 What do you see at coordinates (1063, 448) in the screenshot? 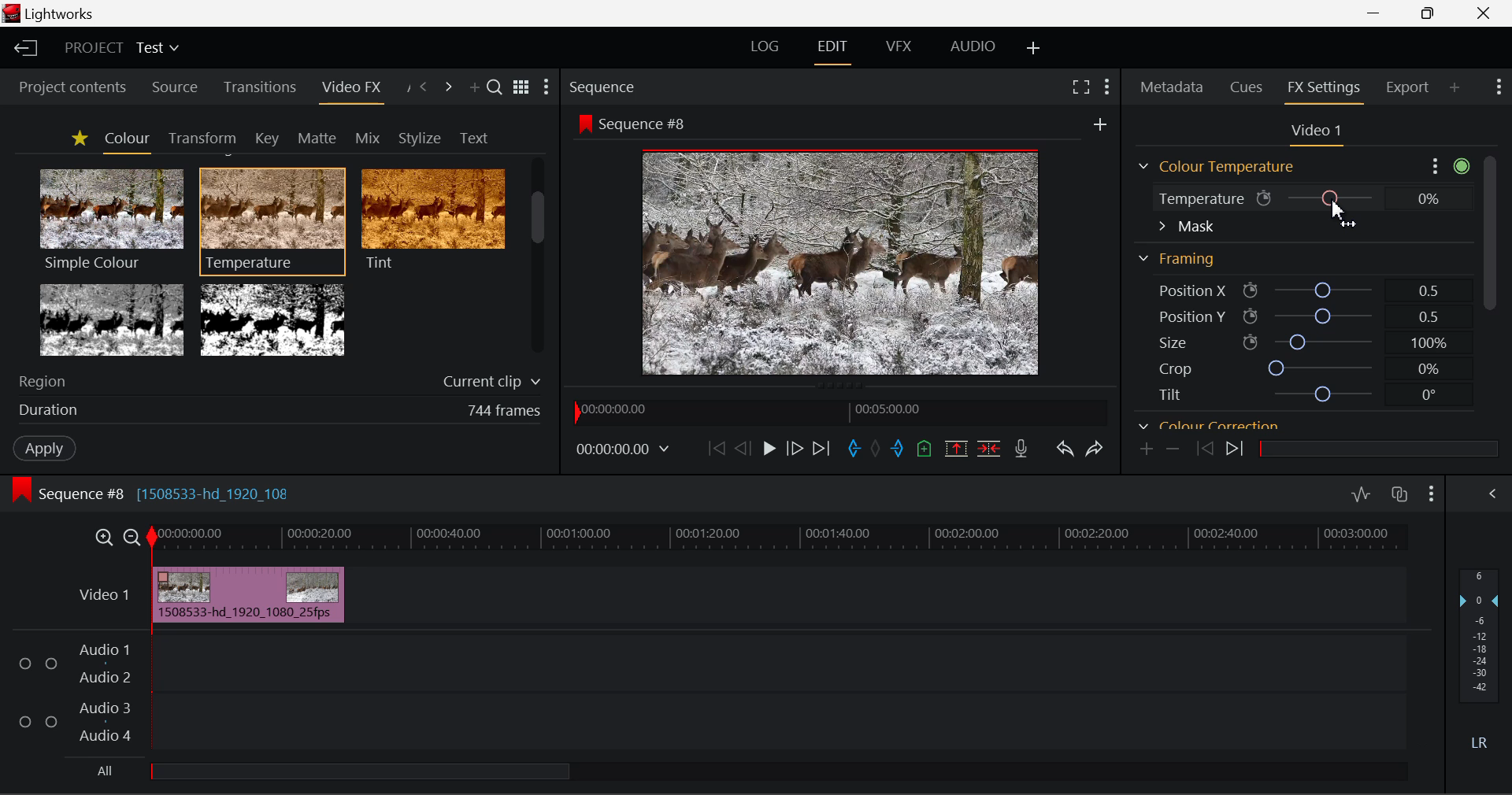
I see `Undo` at bounding box center [1063, 448].